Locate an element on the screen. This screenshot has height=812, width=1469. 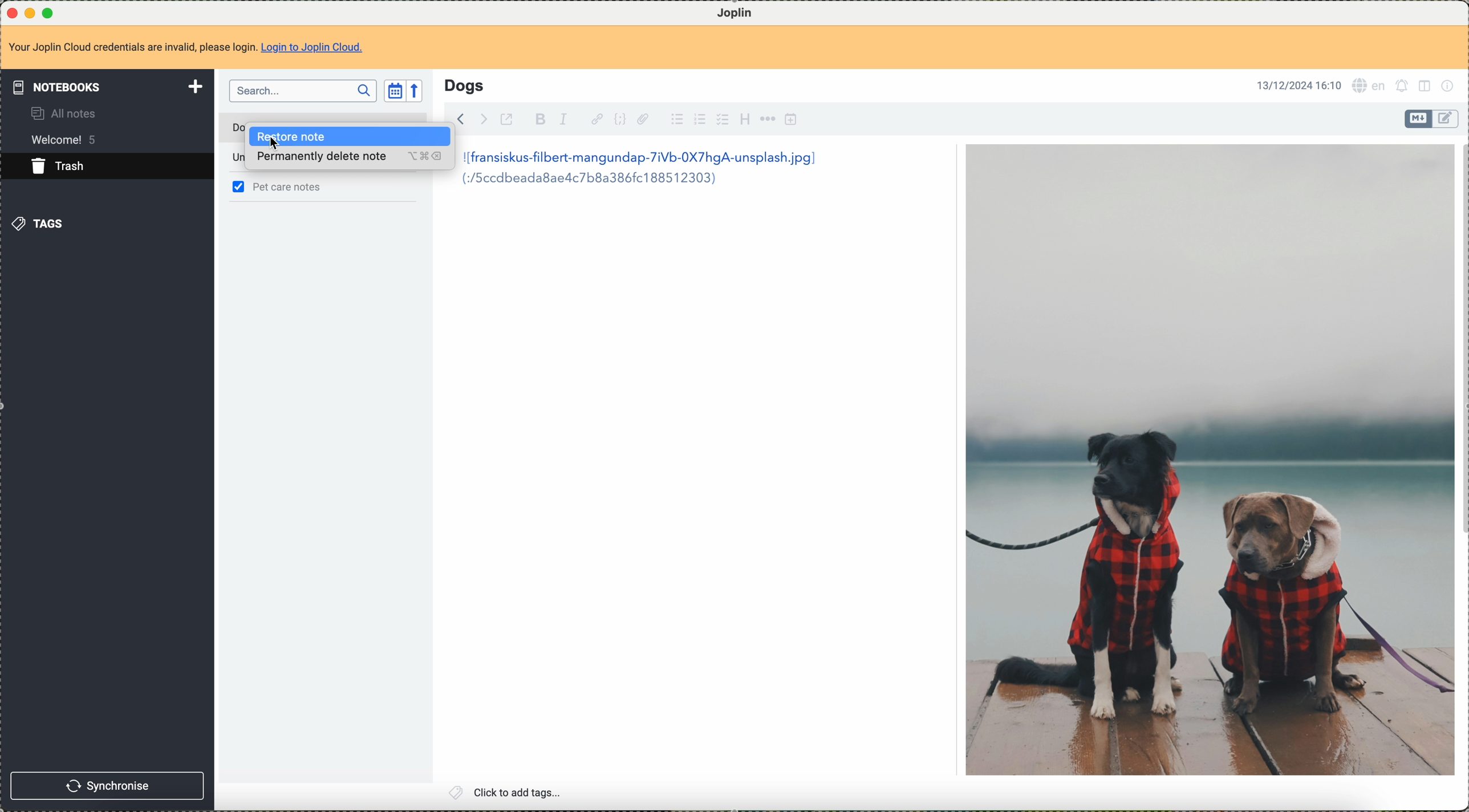
maximize is located at coordinates (48, 11).